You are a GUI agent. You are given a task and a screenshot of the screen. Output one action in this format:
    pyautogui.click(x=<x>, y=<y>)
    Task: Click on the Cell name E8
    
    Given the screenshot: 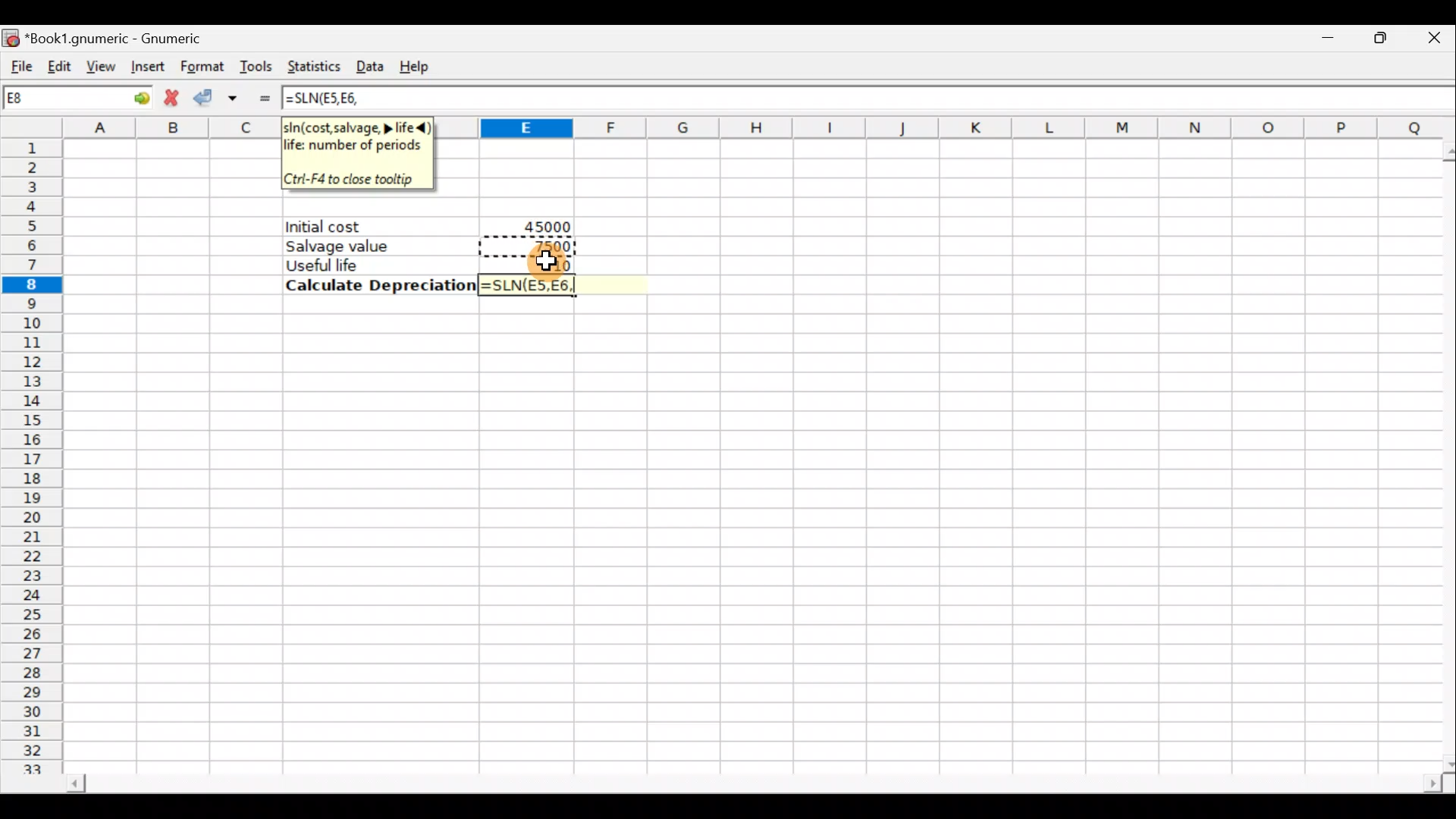 What is the action you would take?
    pyautogui.click(x=51, y=101)
    